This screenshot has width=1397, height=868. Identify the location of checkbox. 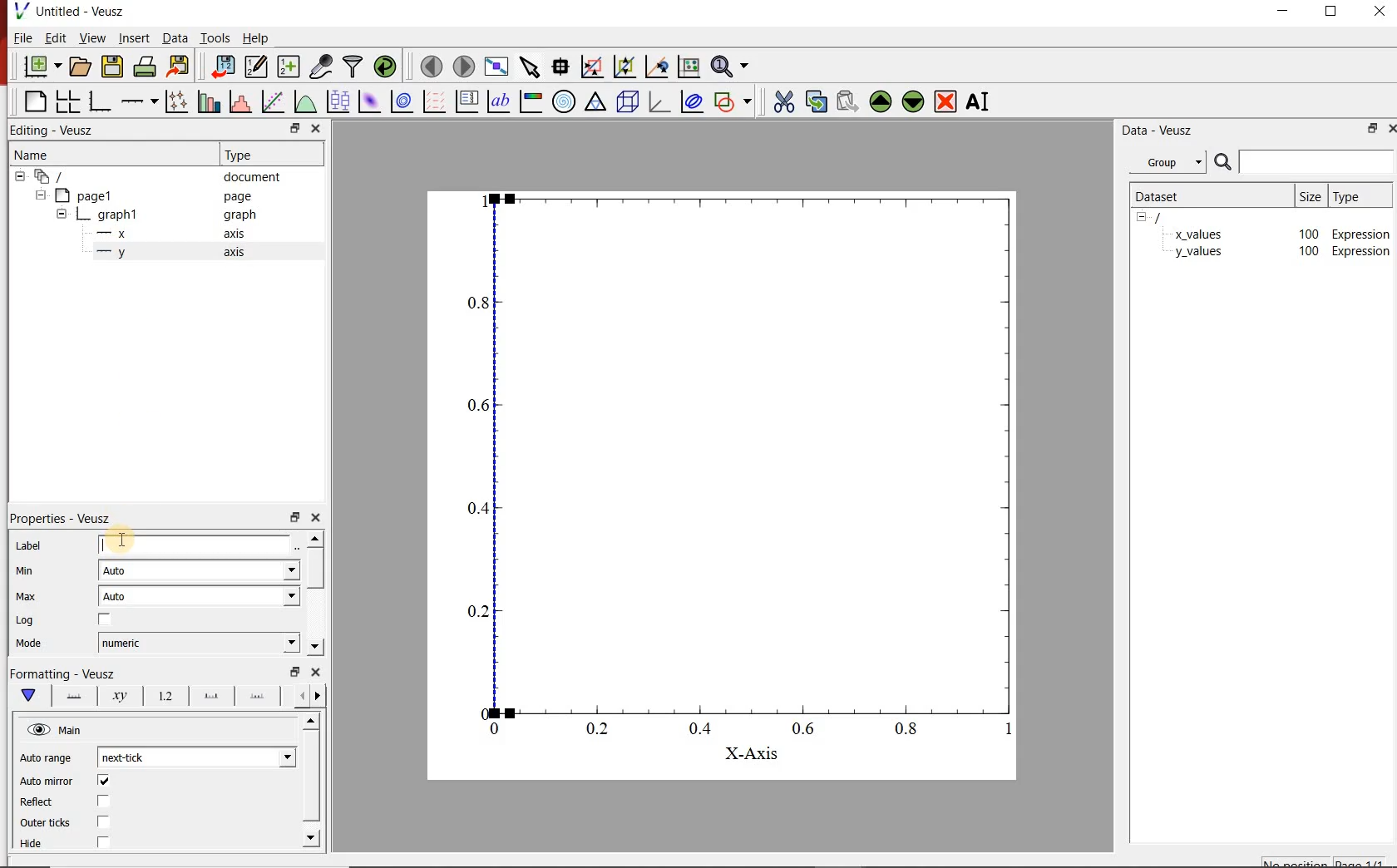
(106, 619).